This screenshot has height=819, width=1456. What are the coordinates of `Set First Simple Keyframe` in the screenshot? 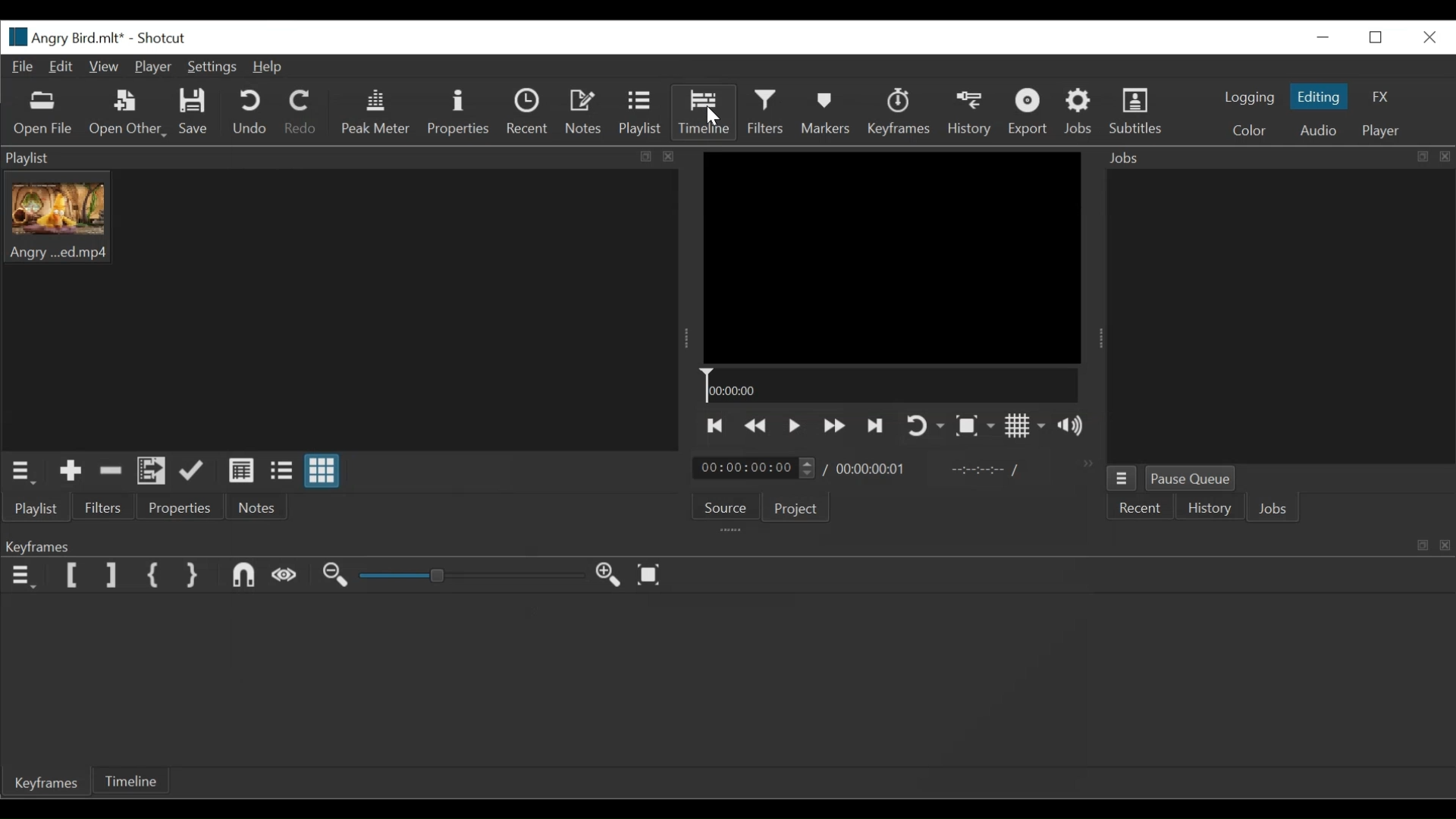 It's located at (156, 577).